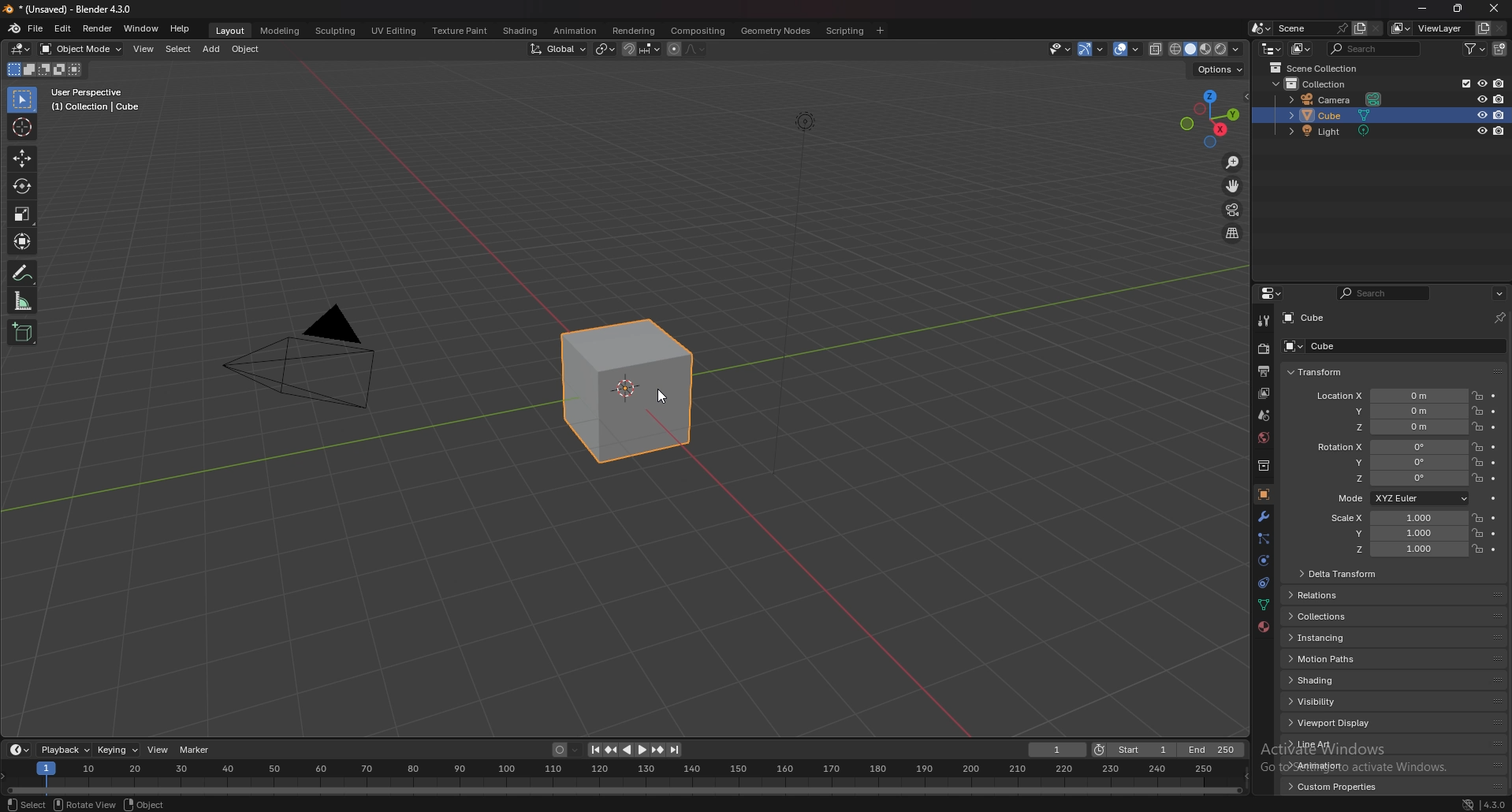 This screenshot has height=812, width=1512. I want to click on animate property, so click(1494, 550).